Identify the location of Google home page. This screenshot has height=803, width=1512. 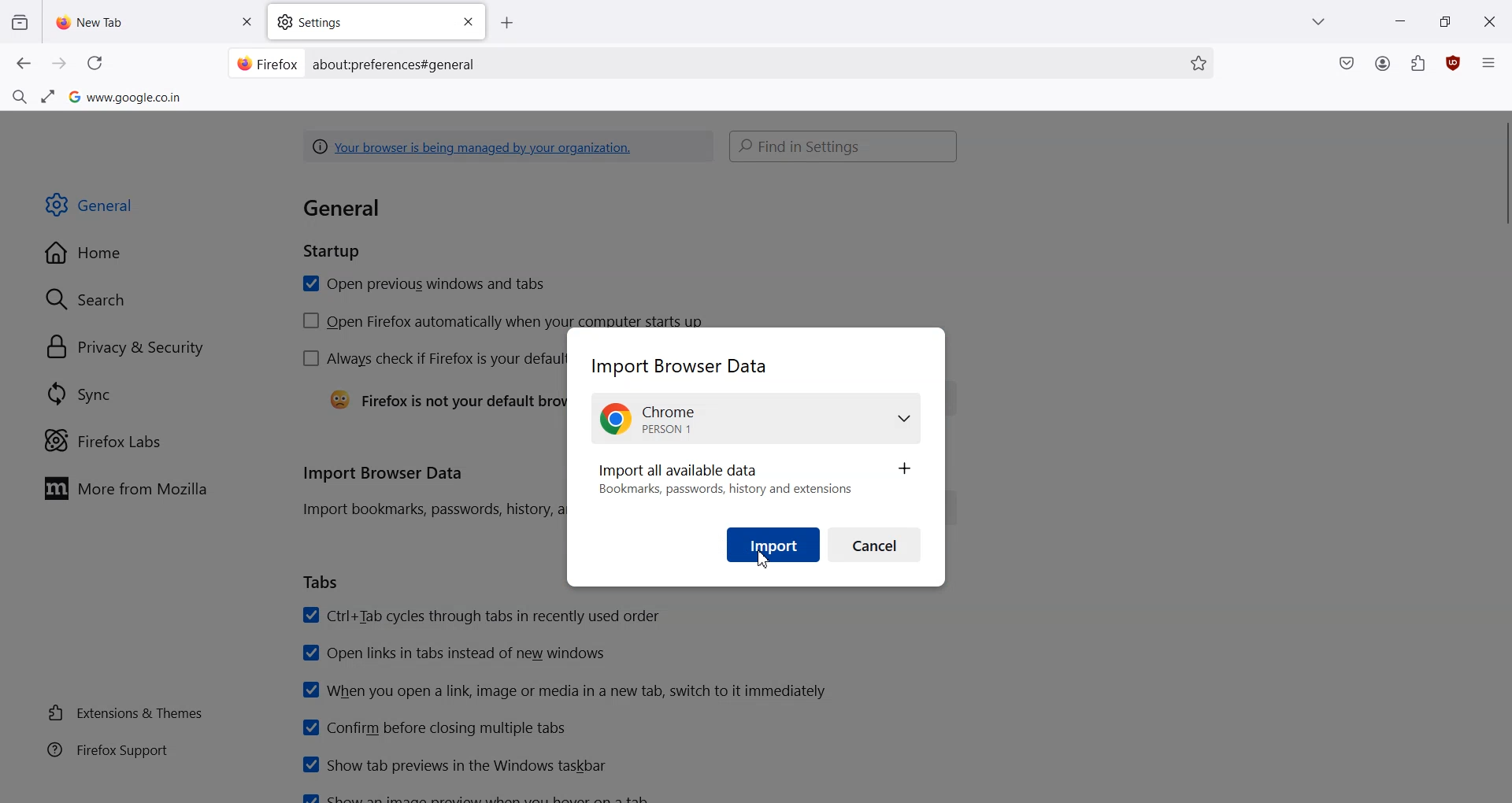
(125, 96).